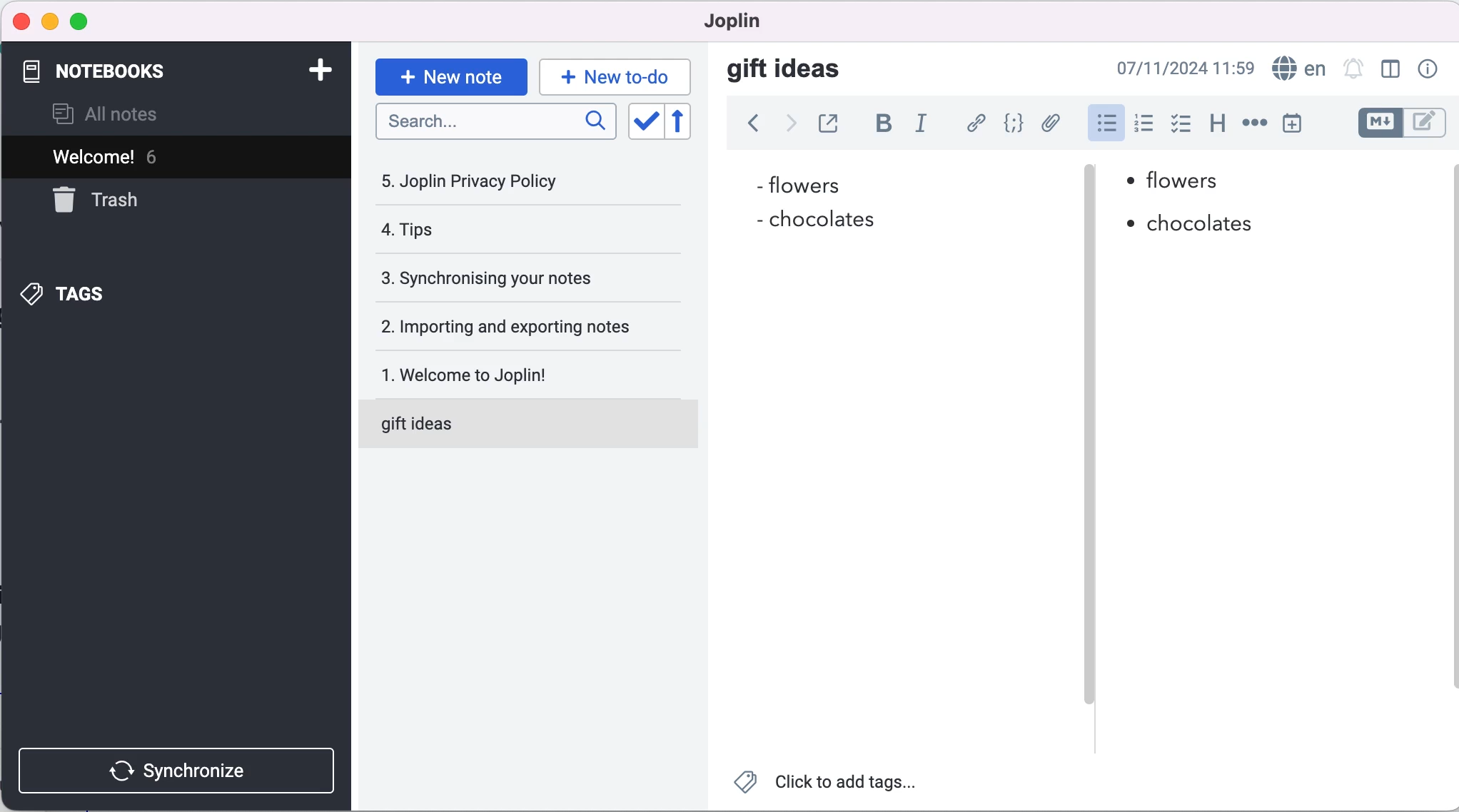 This screenshot has height=812, width=1459. I want to click on italic, so click(921, 125).